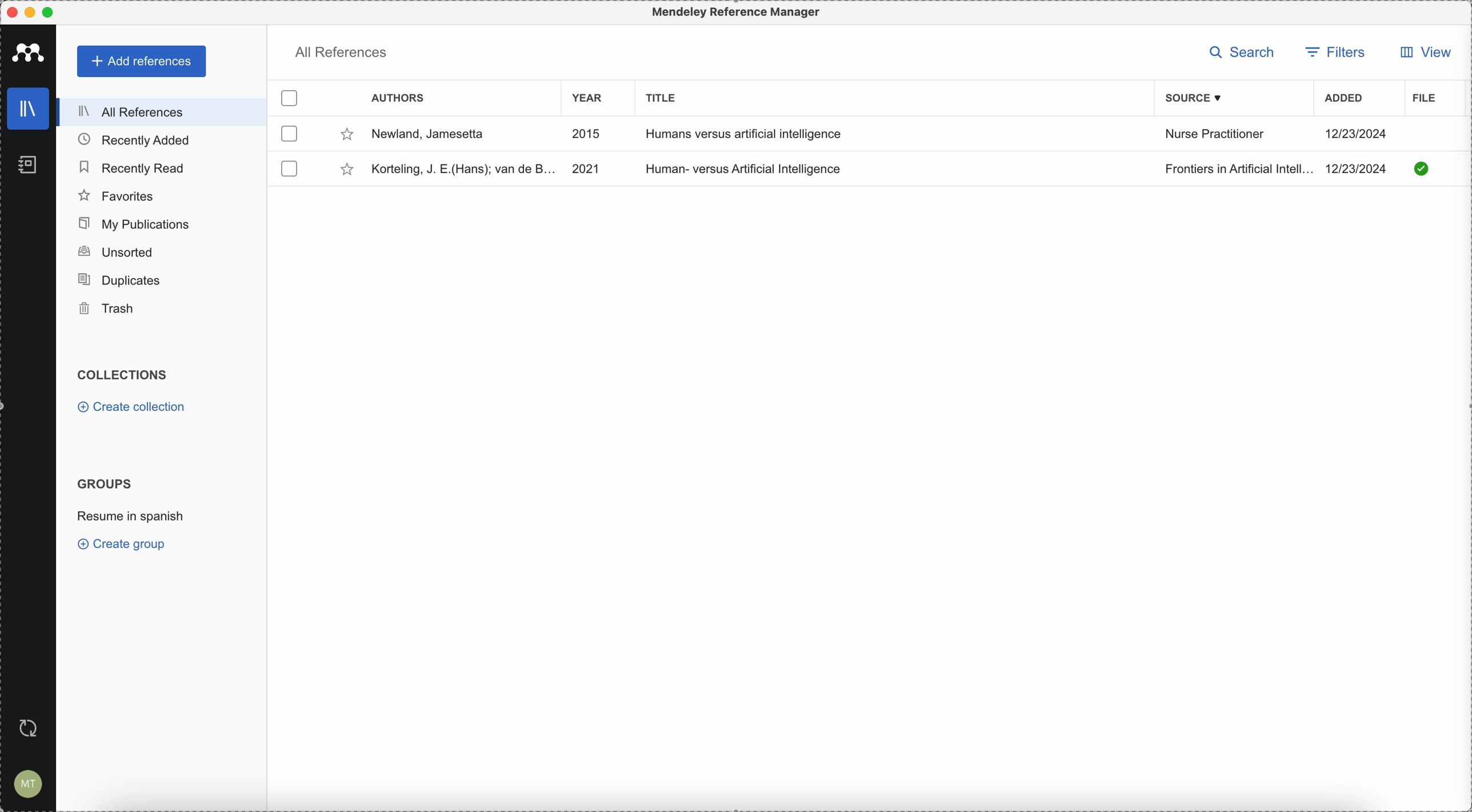 The height and width of the screenshot is (812, 1472). I want to click on all references, so click(341, 50).